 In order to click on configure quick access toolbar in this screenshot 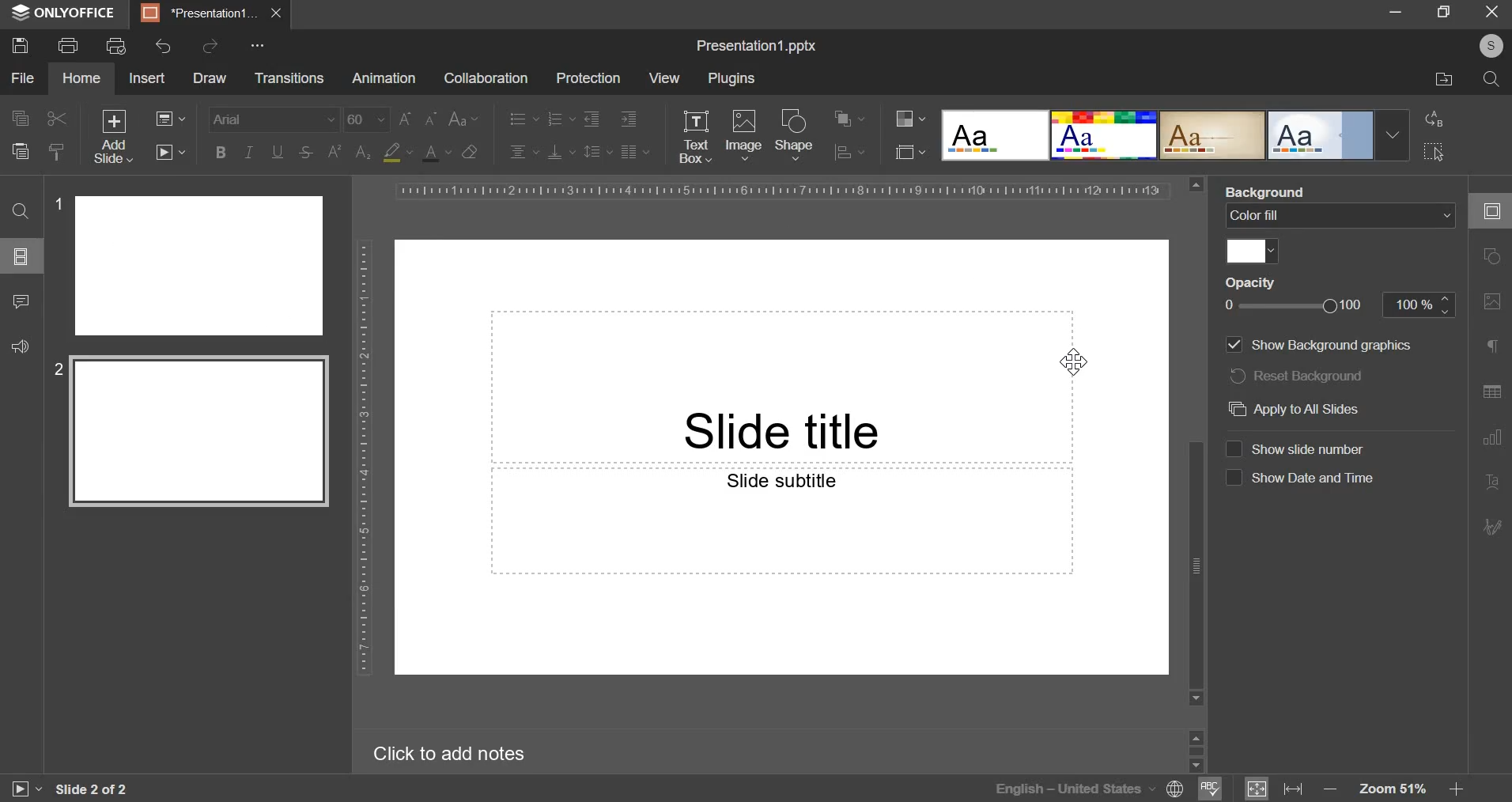, I will do `click(260, 45)`.